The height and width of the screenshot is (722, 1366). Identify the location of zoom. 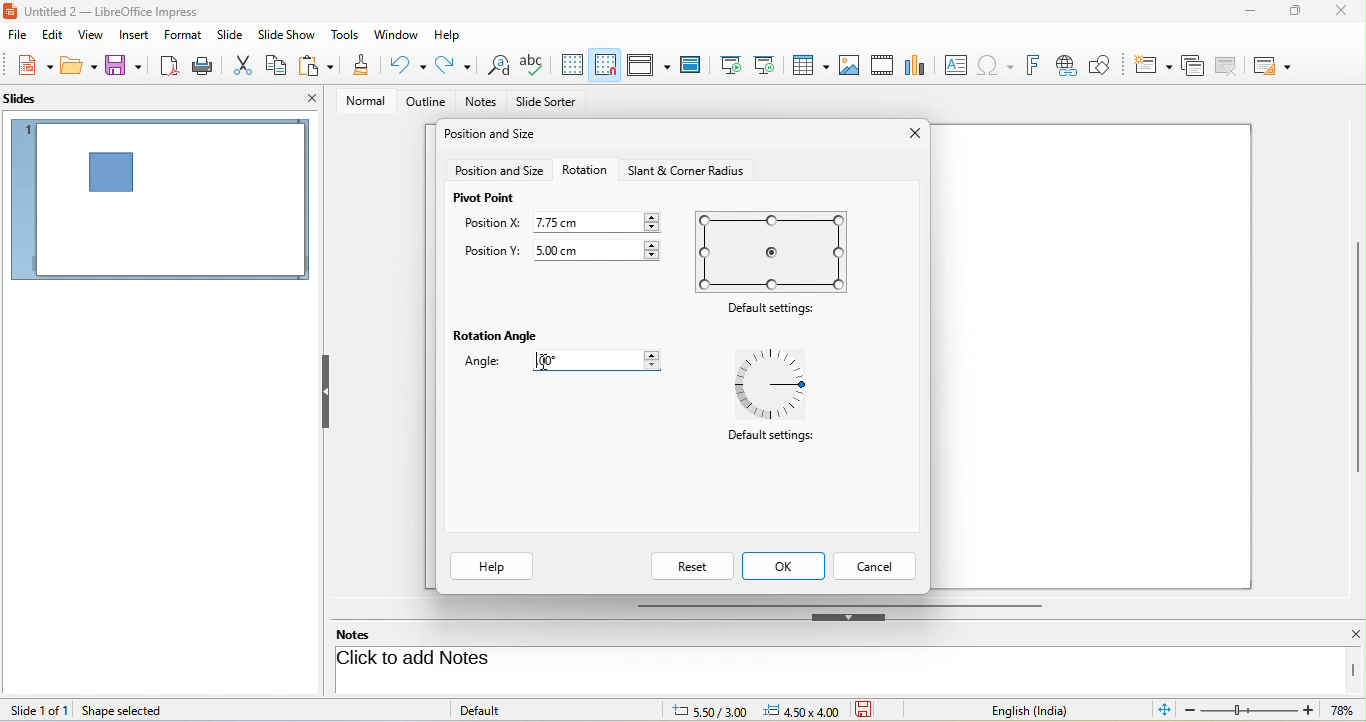
(1273, 712).